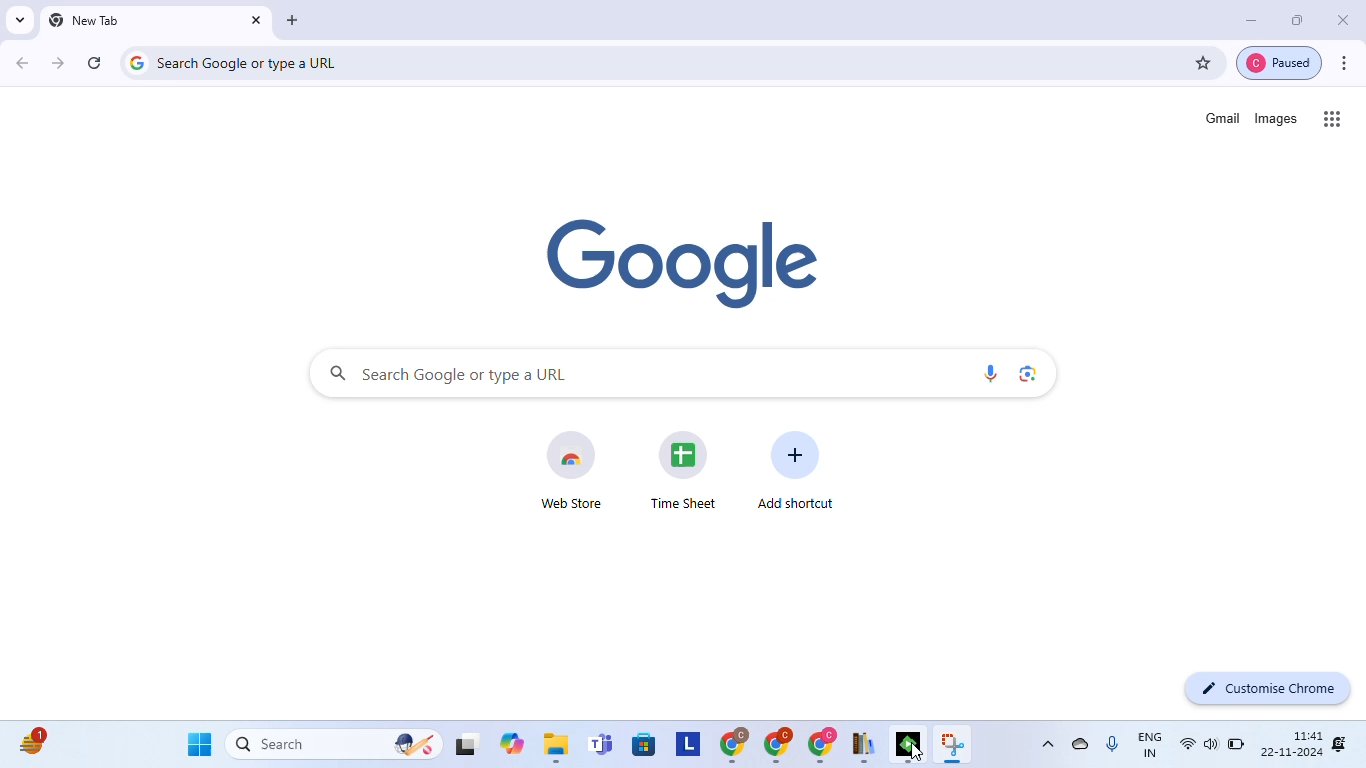 The height and width of the screenshot is (768, 1366). What do you see at coordinates (1200, 59) in the screenshot?
I see `bookmark this tab` at bounding box center [1200, 59].